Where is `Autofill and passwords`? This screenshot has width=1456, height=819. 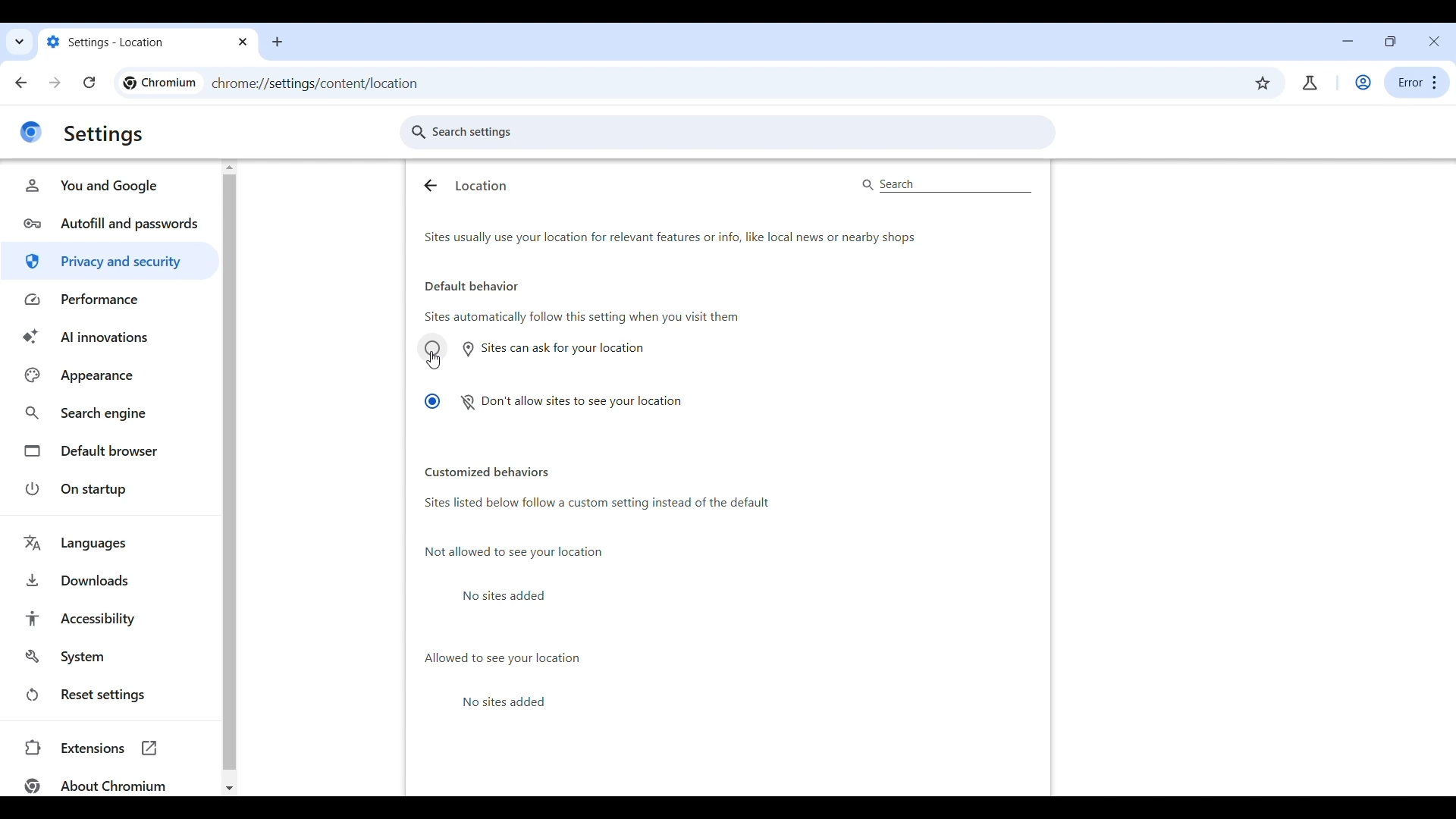 Autofill and passwords is located at coordinates (110, 221).